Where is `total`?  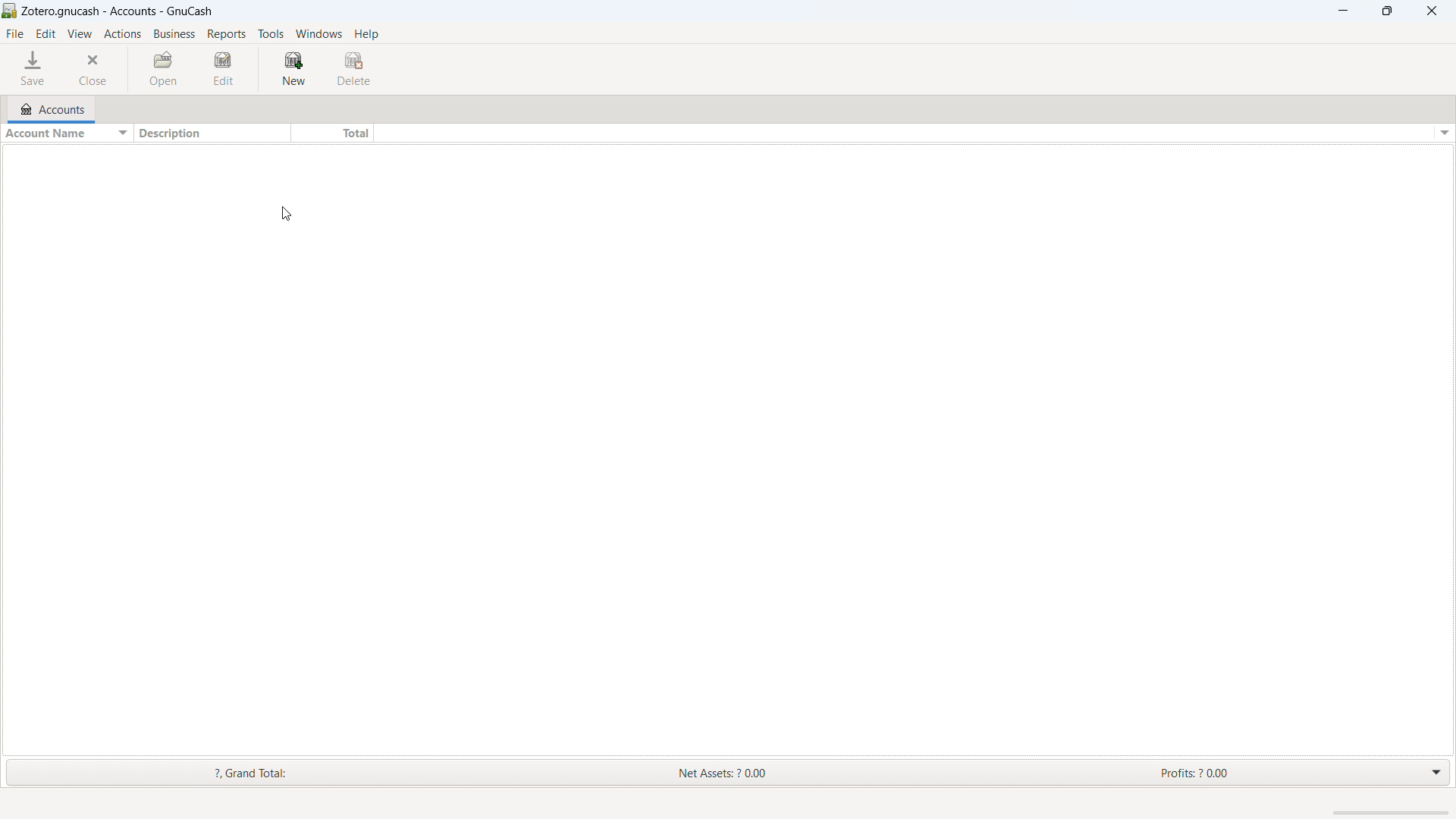 total is located at coordinates (331, 133).